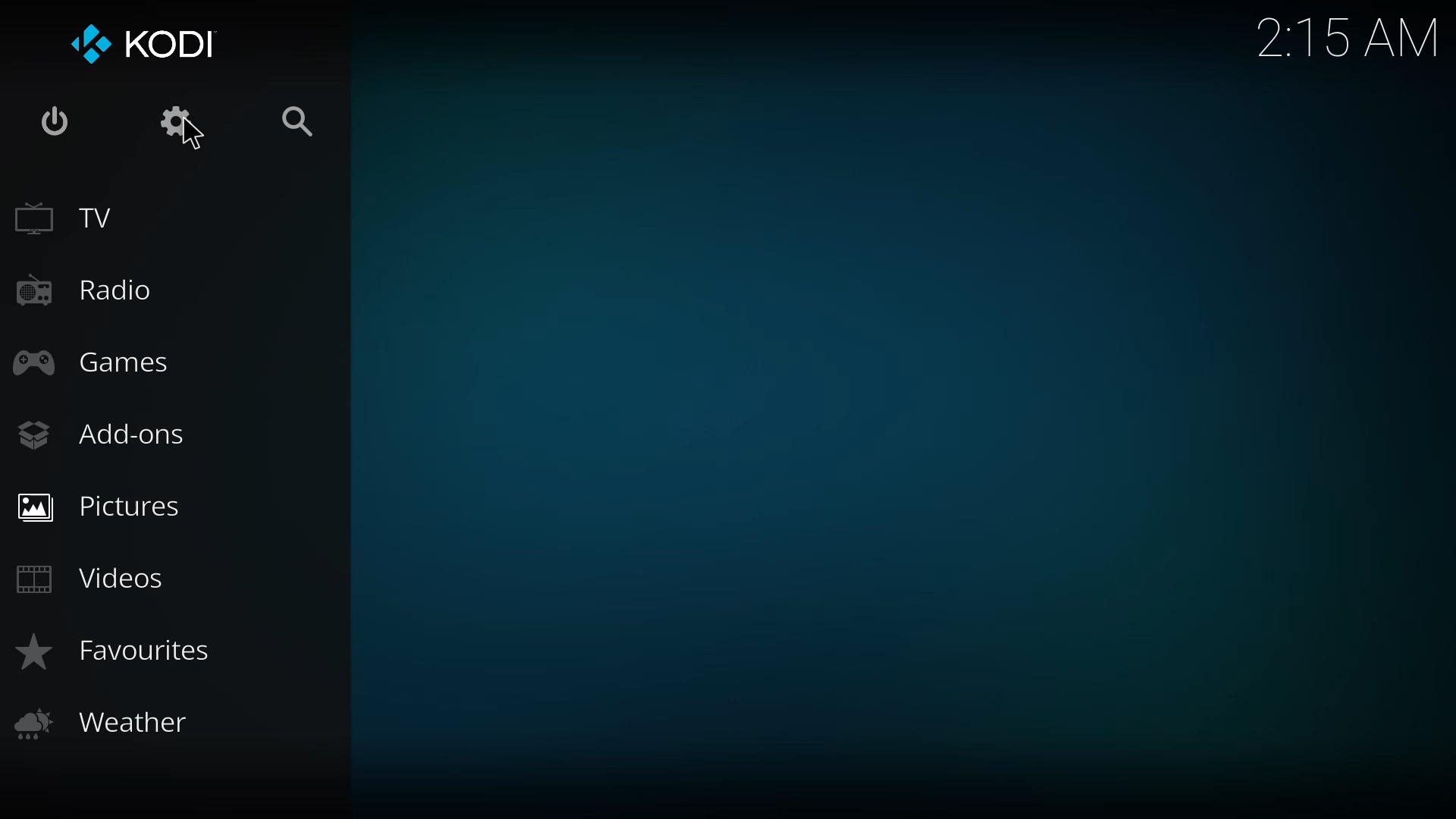  What do you see at coordinates (71, 218) in the screenshot?
I see `tv` at bounding box center [71, 218].